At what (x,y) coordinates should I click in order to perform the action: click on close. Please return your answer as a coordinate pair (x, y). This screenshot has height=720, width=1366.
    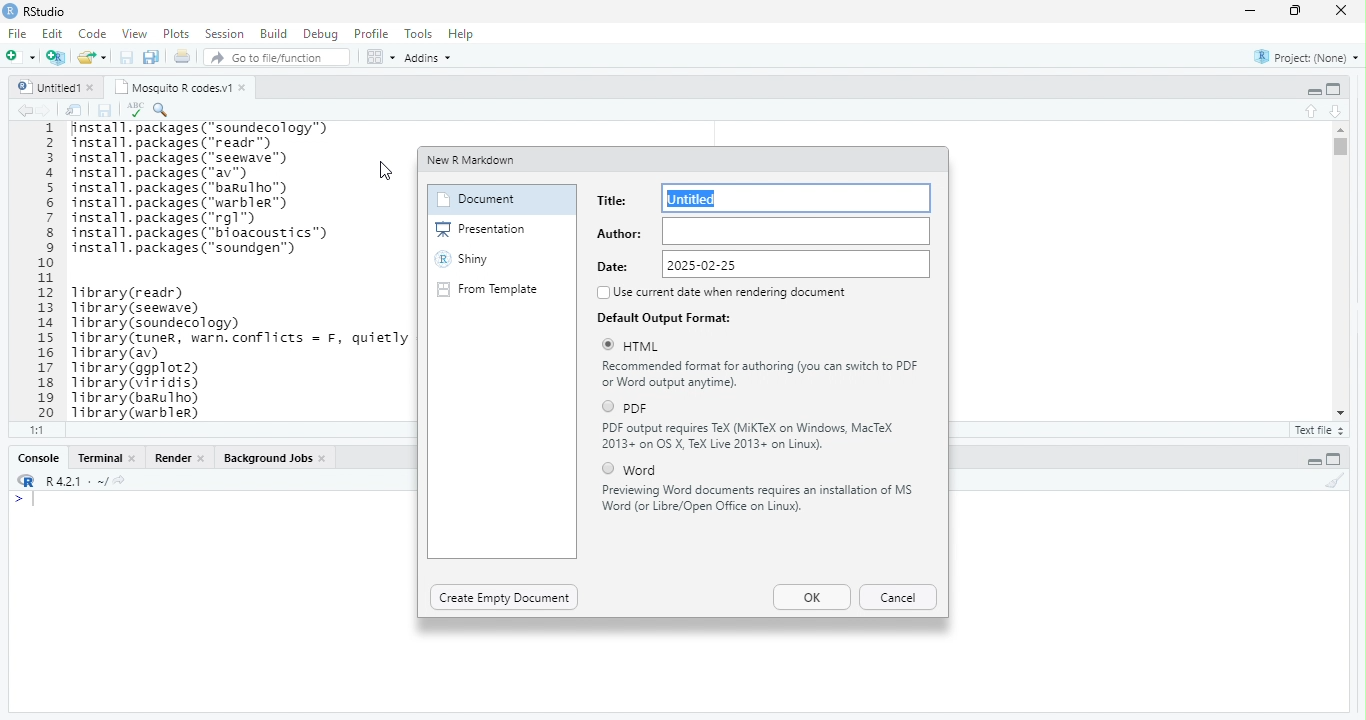
    Looking at the image, I should click on (325, 459).